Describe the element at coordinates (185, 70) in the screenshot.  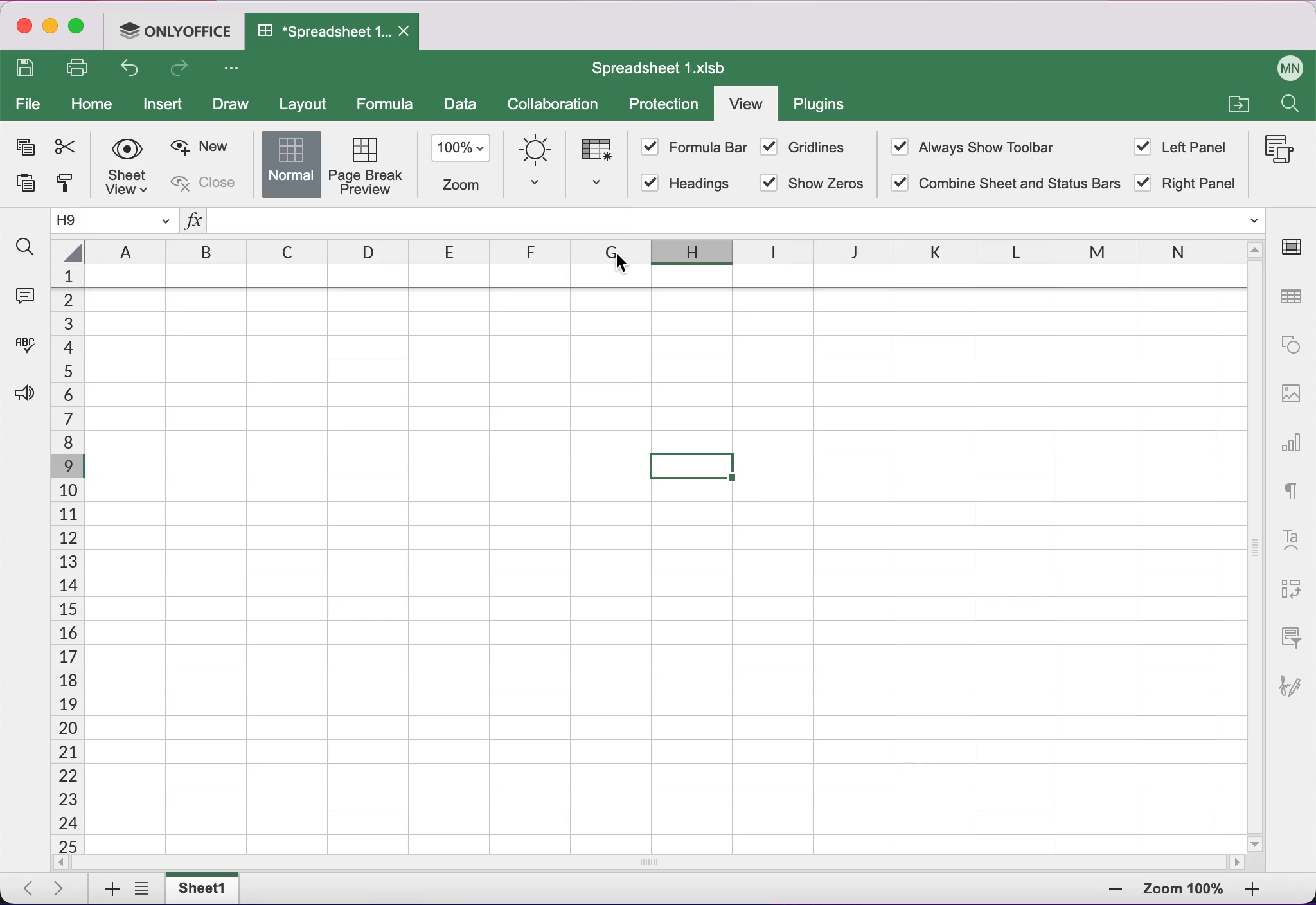
I see `redo` at that location.